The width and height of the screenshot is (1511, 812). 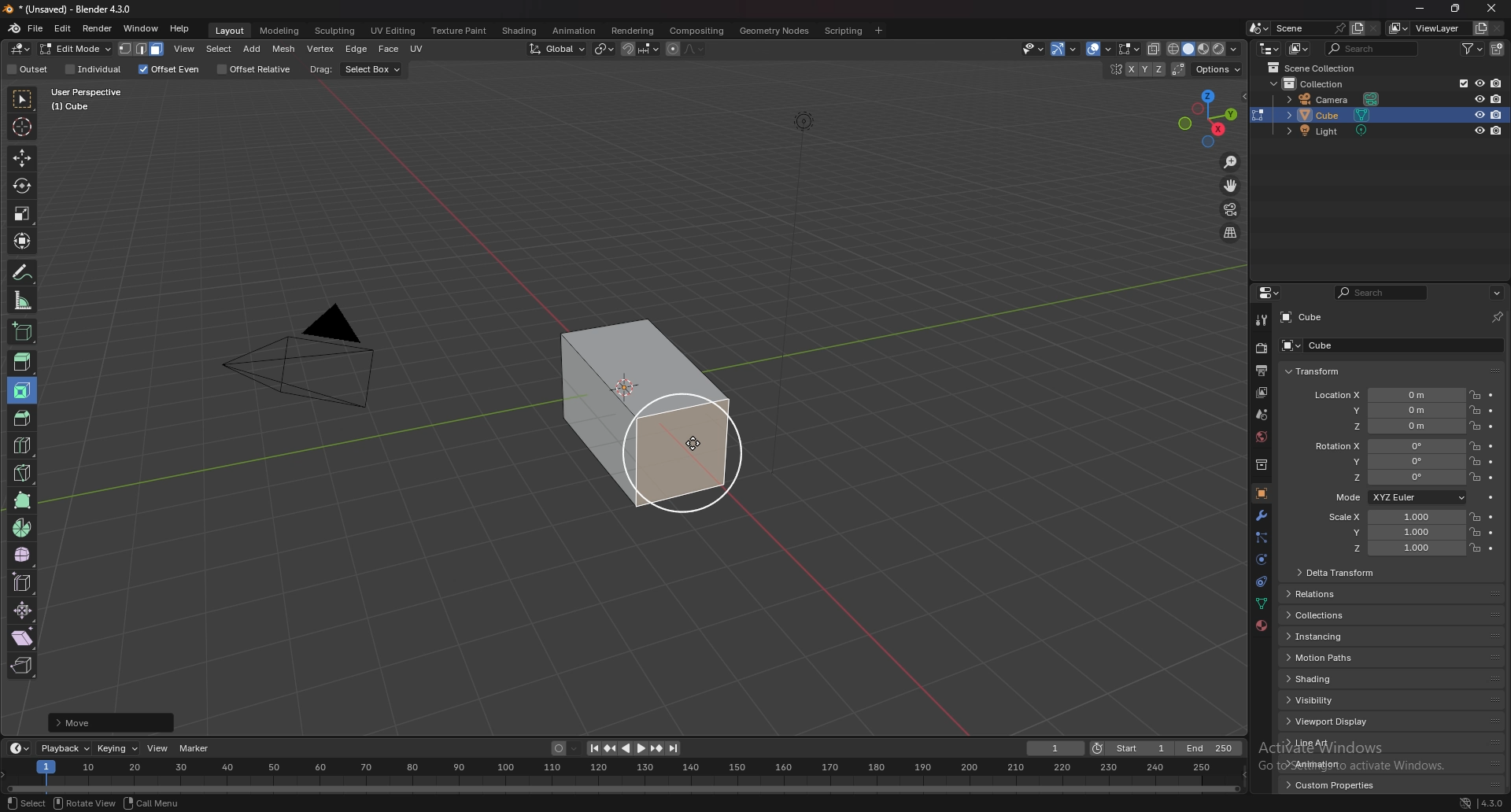 What do you see at coordinates (1392, 460) in the screenshot?
I see `rotation y` at bounding box center [1392, 460].